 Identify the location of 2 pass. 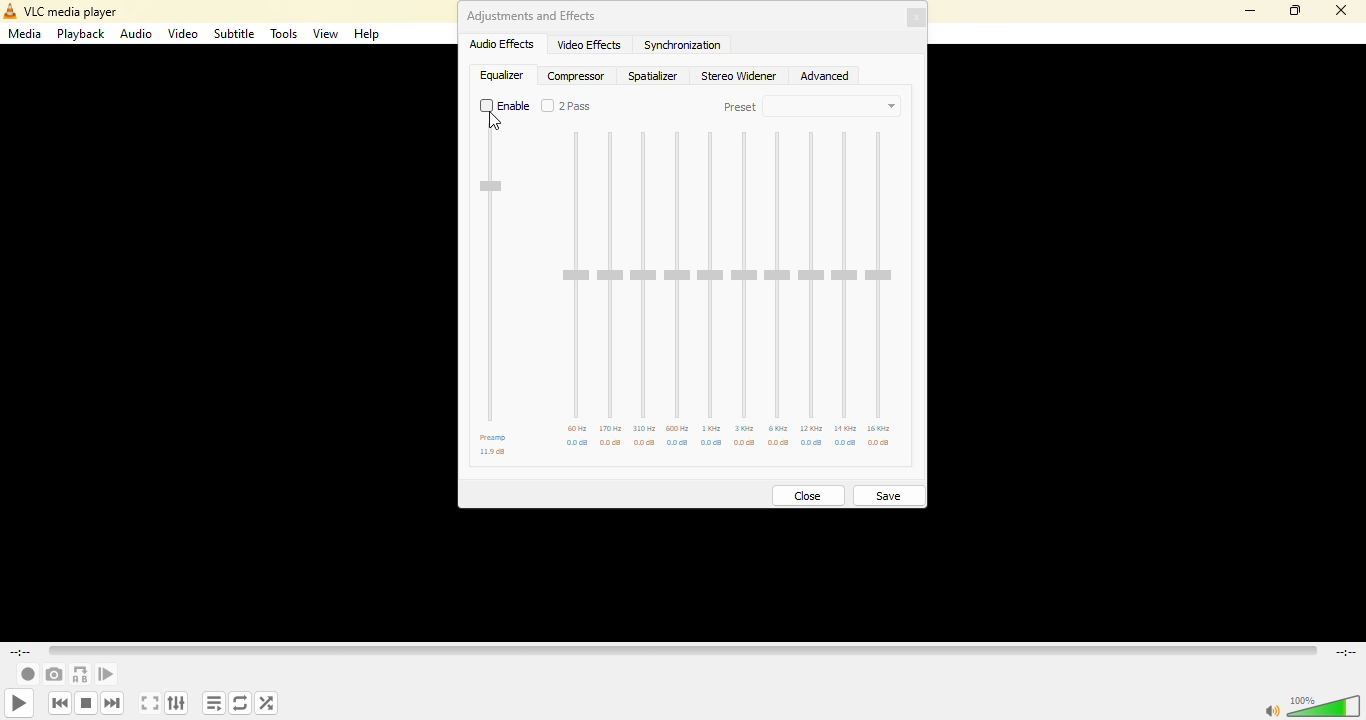
(568, 107).